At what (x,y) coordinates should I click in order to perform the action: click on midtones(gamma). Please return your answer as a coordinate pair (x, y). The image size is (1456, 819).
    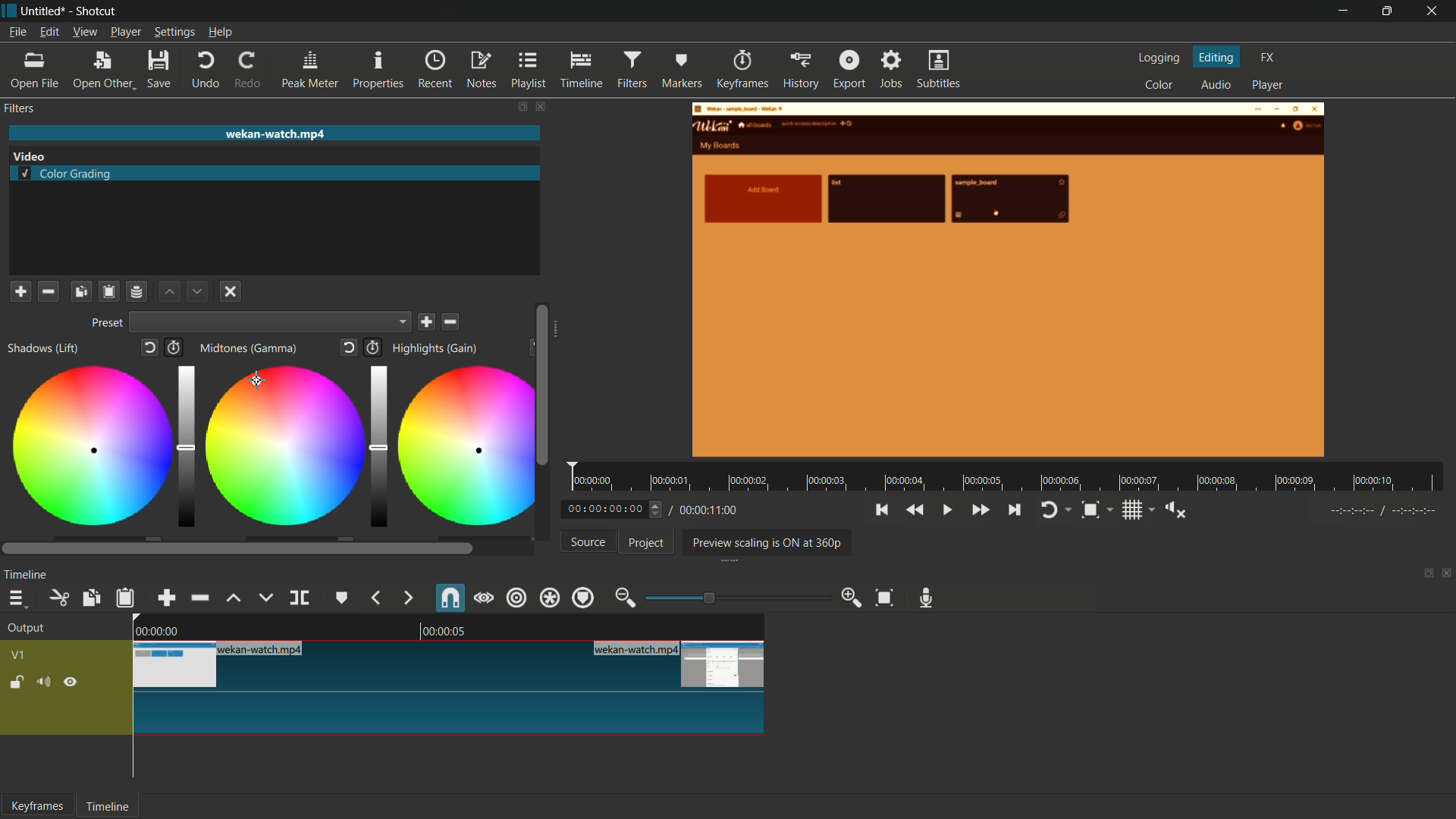
    Looking at the image, I should click on (248, 348).